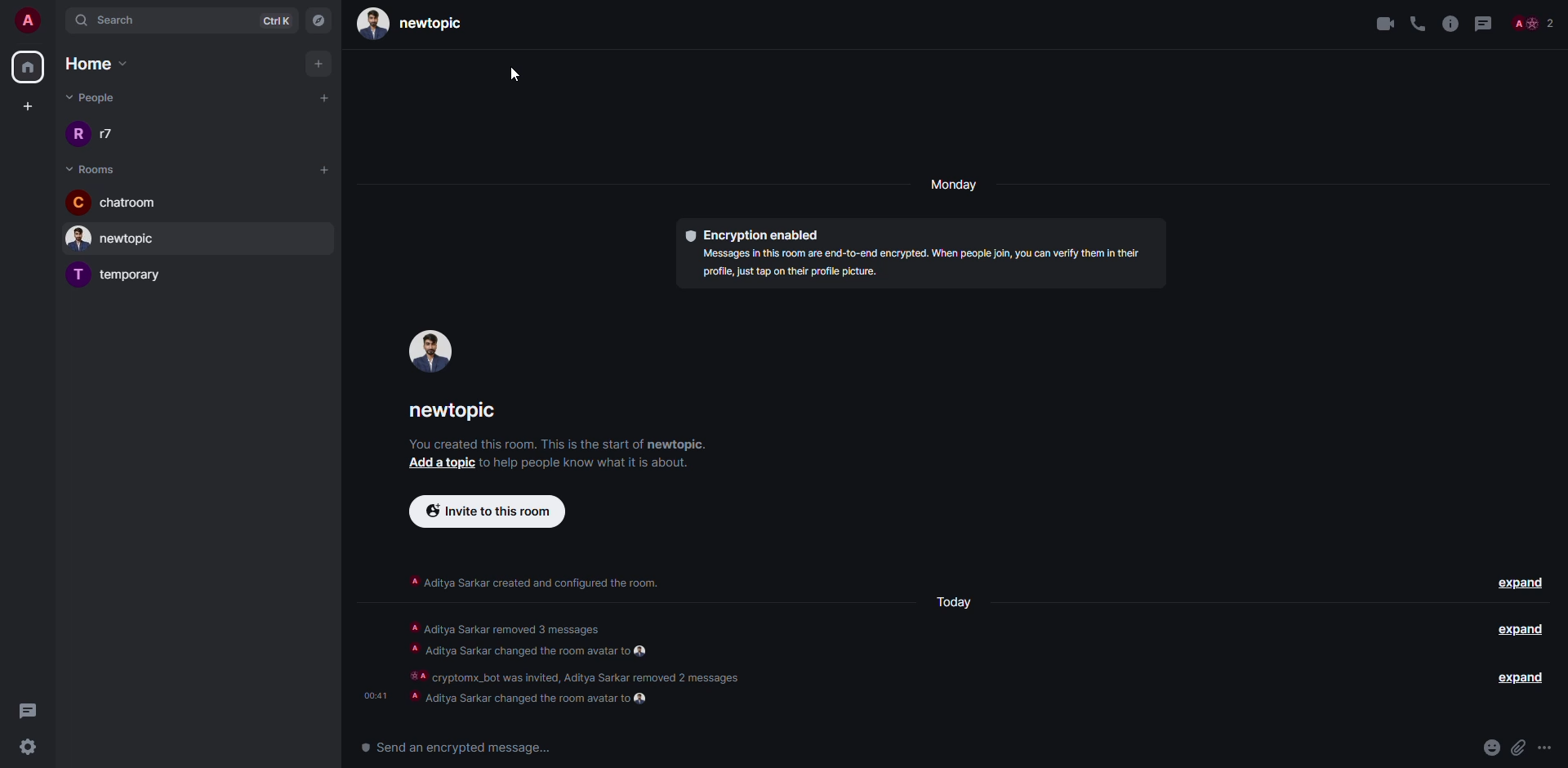 Image resolution: width=1568 pixels, height=768 pixels. What do you see at coordinates (578, 648) in the screenshot?
I see `info` at bounding box center [578, 648].